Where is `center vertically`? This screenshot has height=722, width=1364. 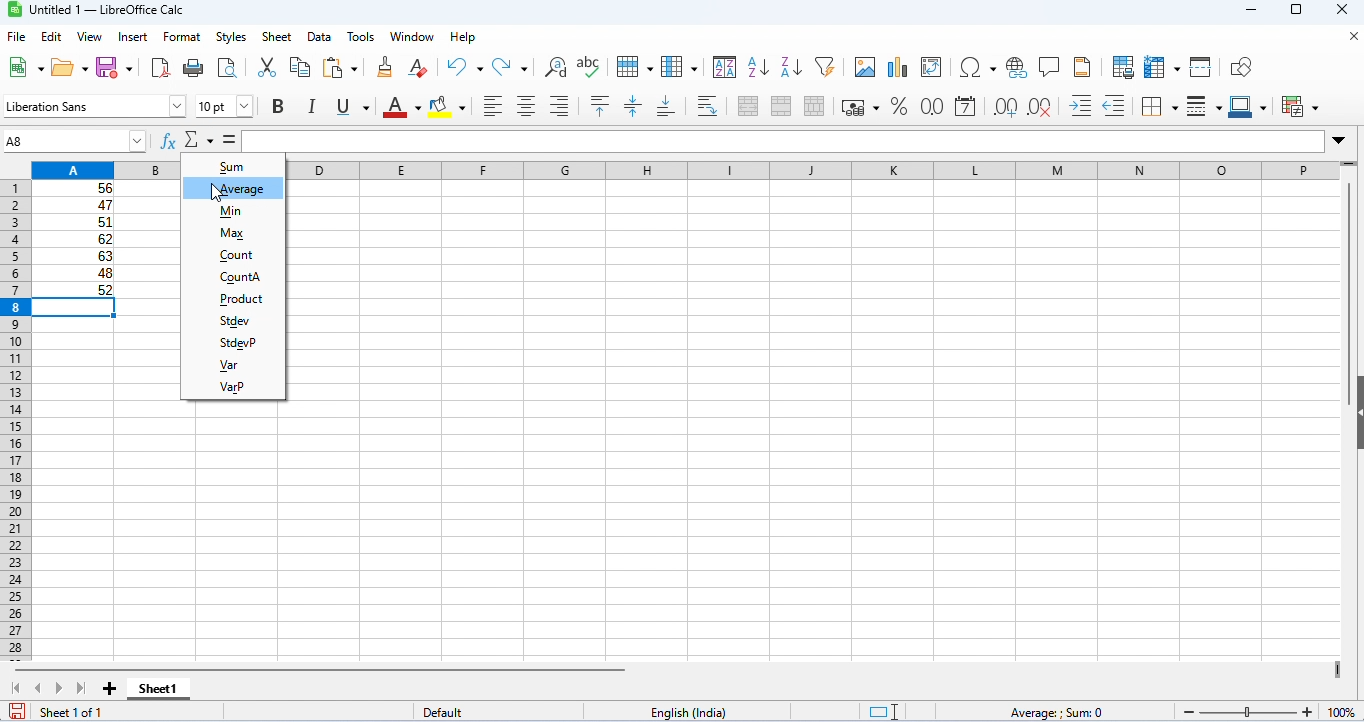
center vertically is located at coordinates (632, 106).